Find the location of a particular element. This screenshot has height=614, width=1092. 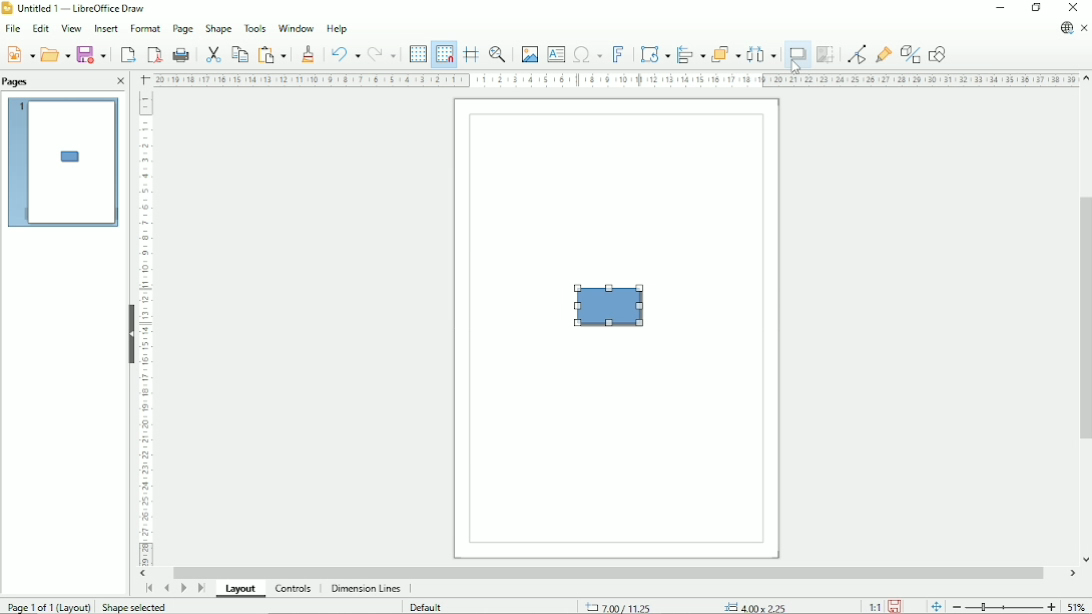

Horizontal scale is located at coordinates (621, 81).